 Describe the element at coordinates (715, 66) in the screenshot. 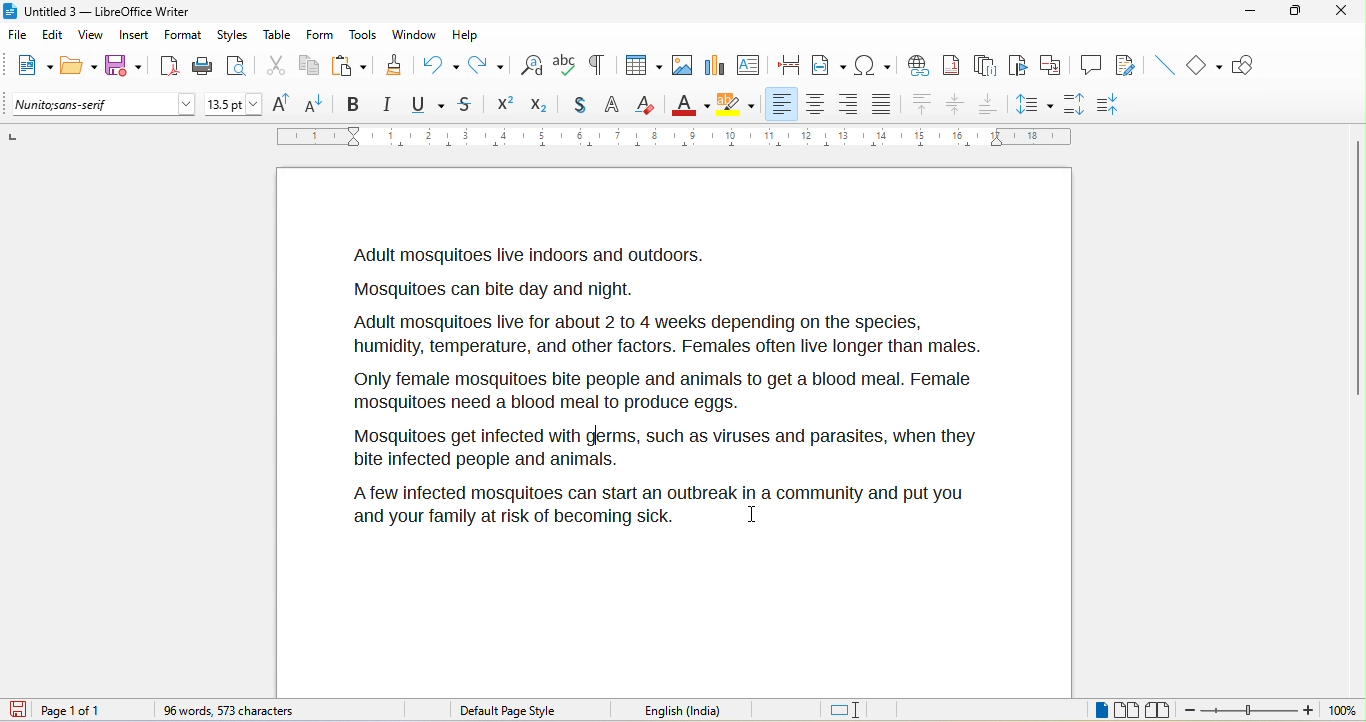

I see `chart` at that location.